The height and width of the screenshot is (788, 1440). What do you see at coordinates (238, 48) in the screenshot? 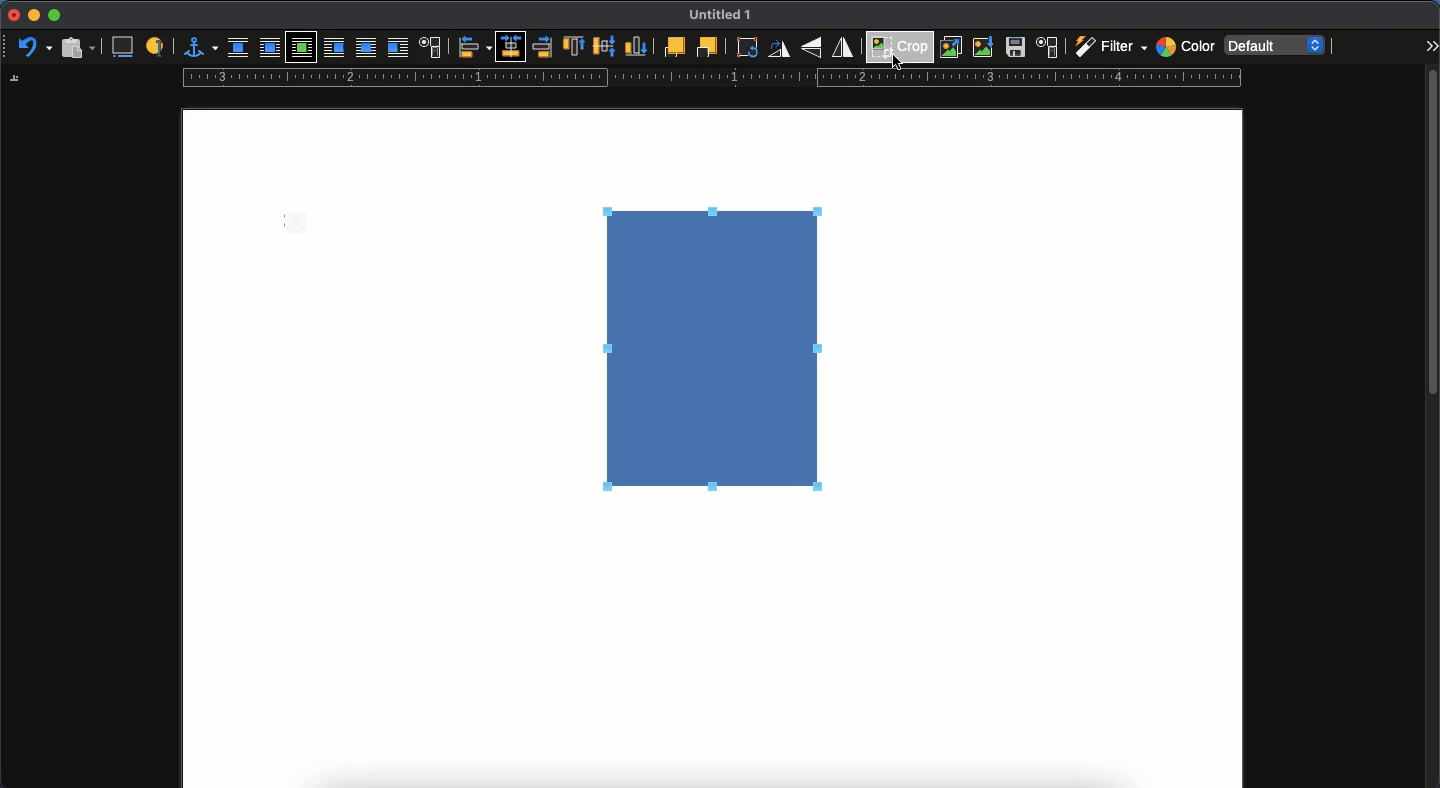
I see `none` at bounding box center [238, 48].